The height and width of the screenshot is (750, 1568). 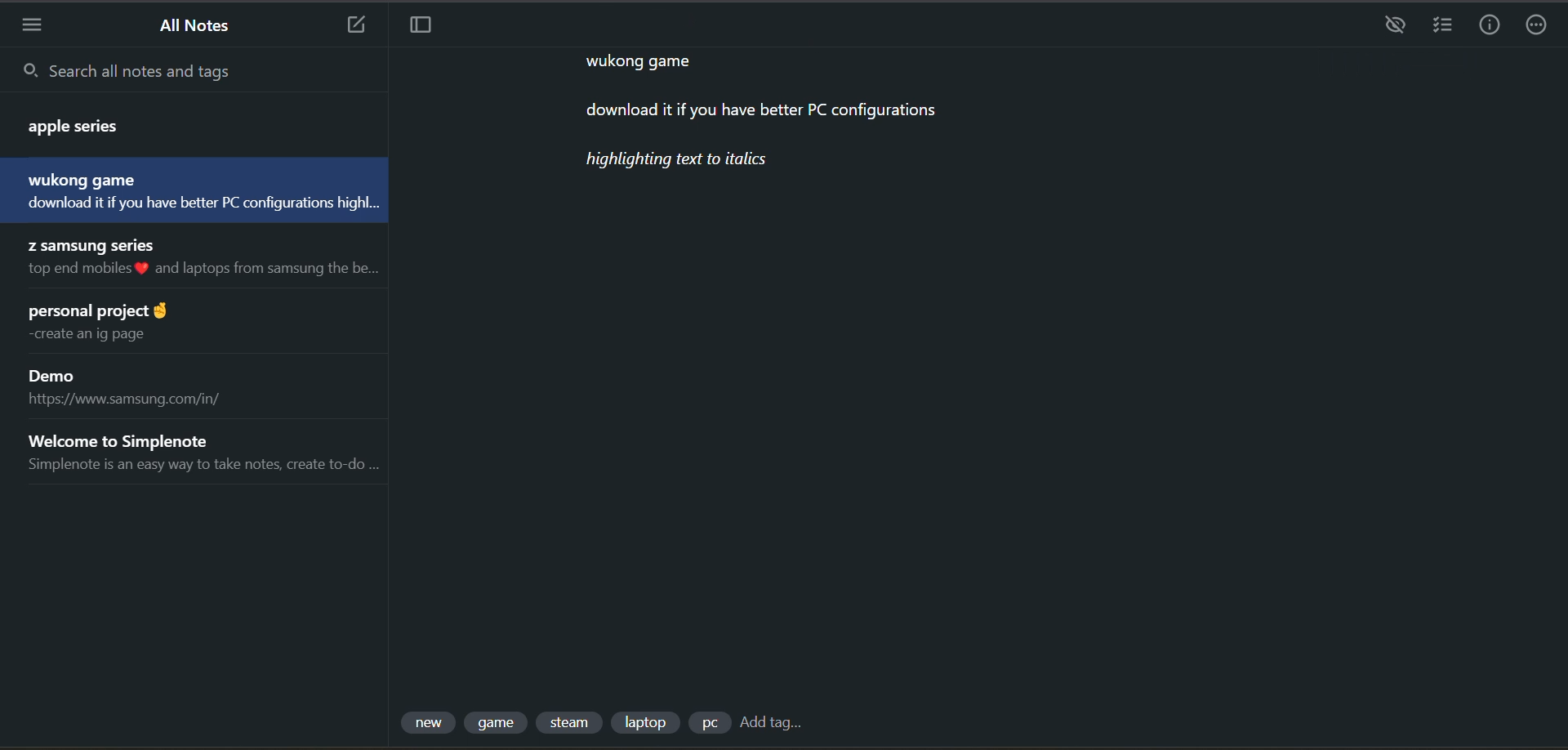 I want to click on tag 2, so click(x=498, y=723).